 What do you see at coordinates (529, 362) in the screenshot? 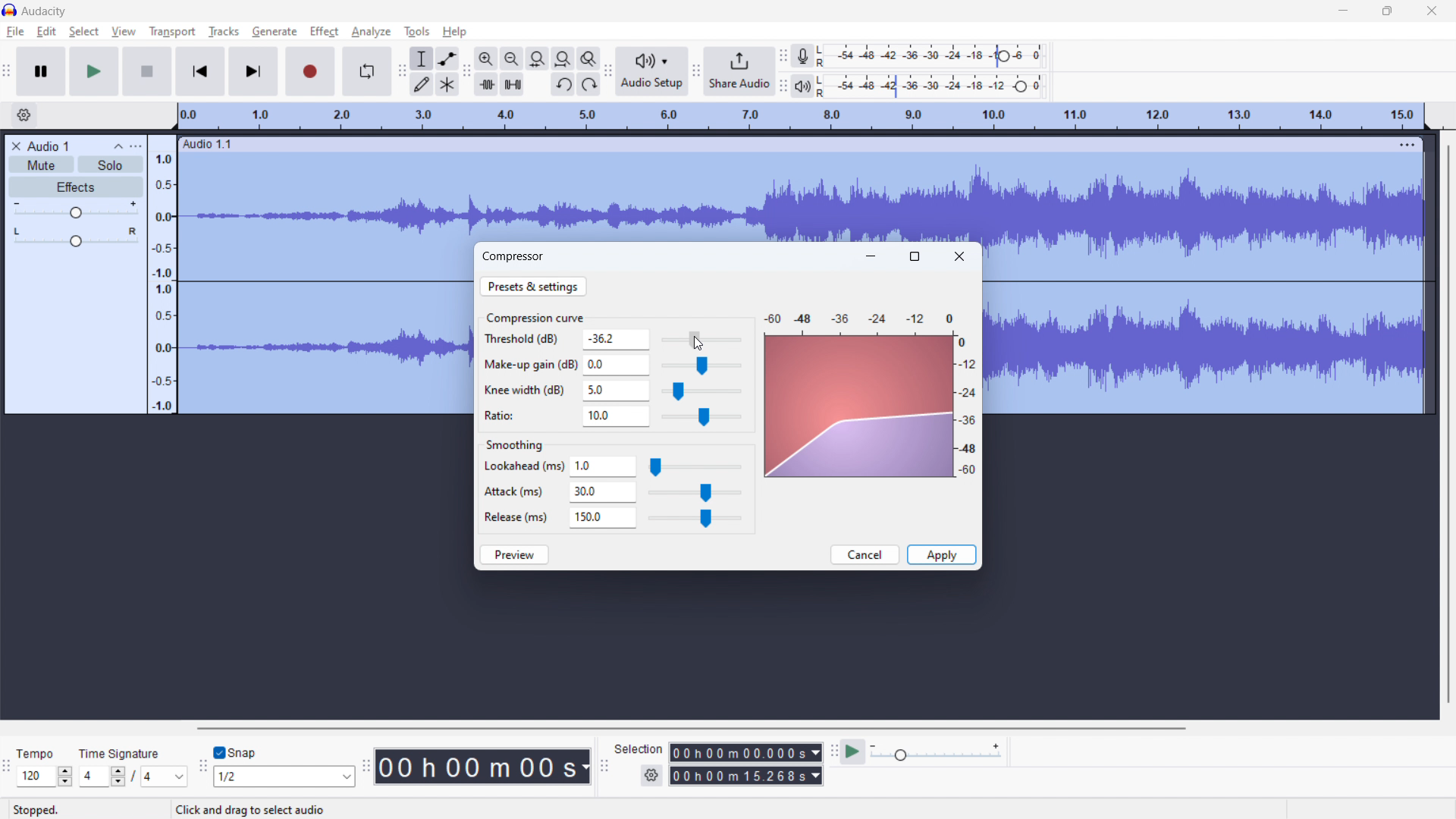
I see ` Make-up gain (dB)` at bounding box center [529, 362].